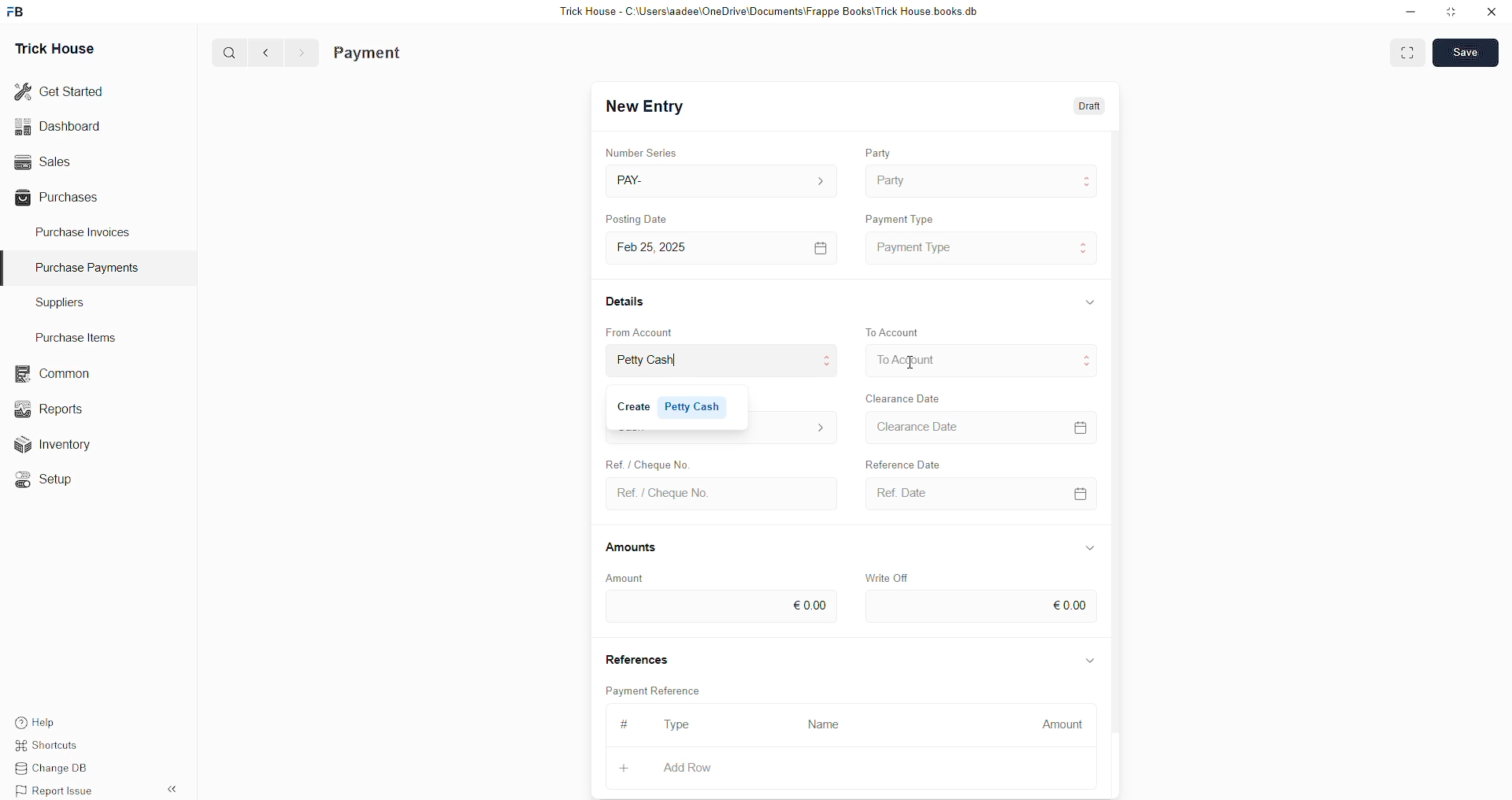 The height and width of the screenshot is (800, 1512). I want to click on €0.00, so click(810, 602).